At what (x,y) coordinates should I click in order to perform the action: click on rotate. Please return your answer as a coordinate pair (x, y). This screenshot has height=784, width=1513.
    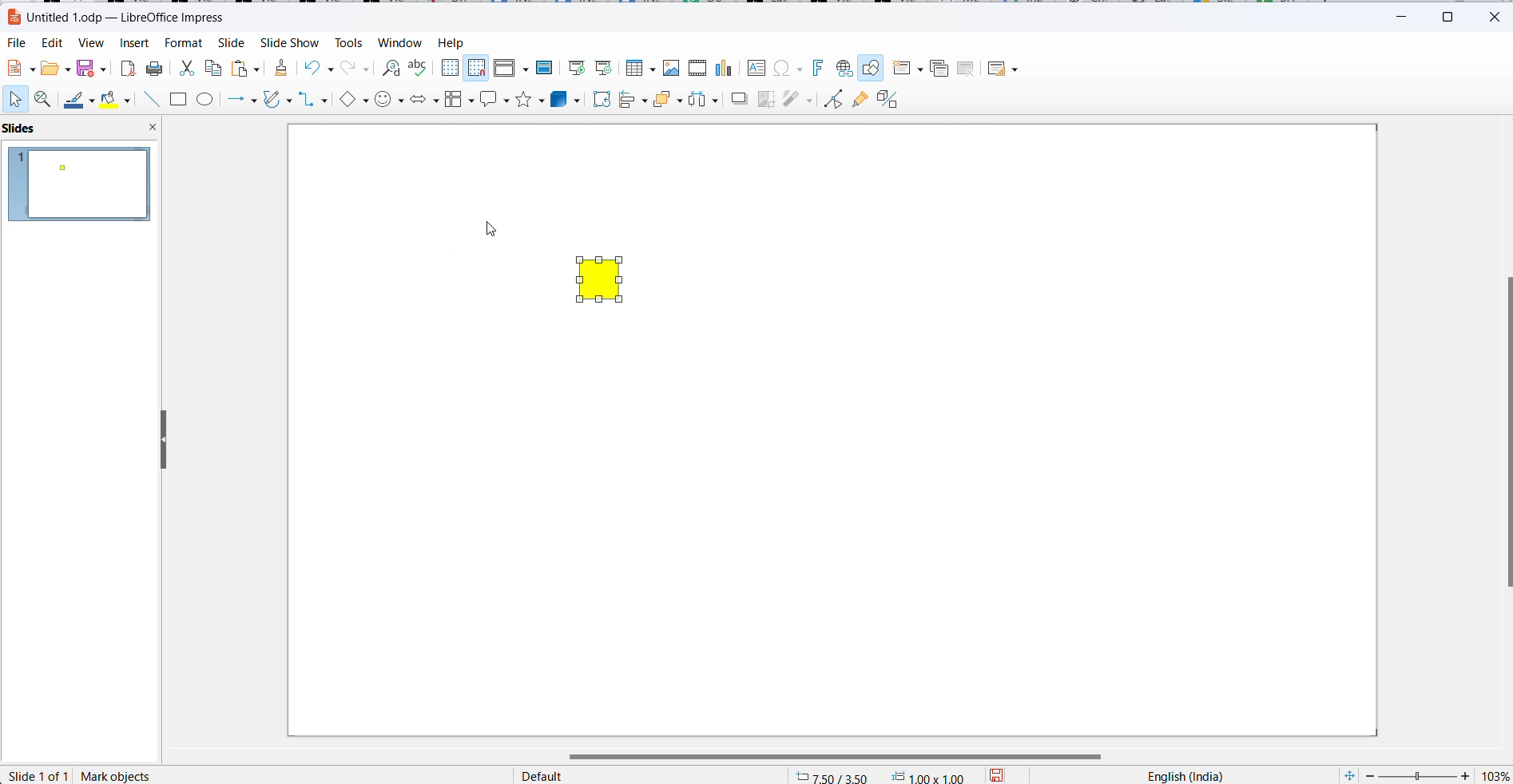
    Looking at the image, I should click on (599, 100).